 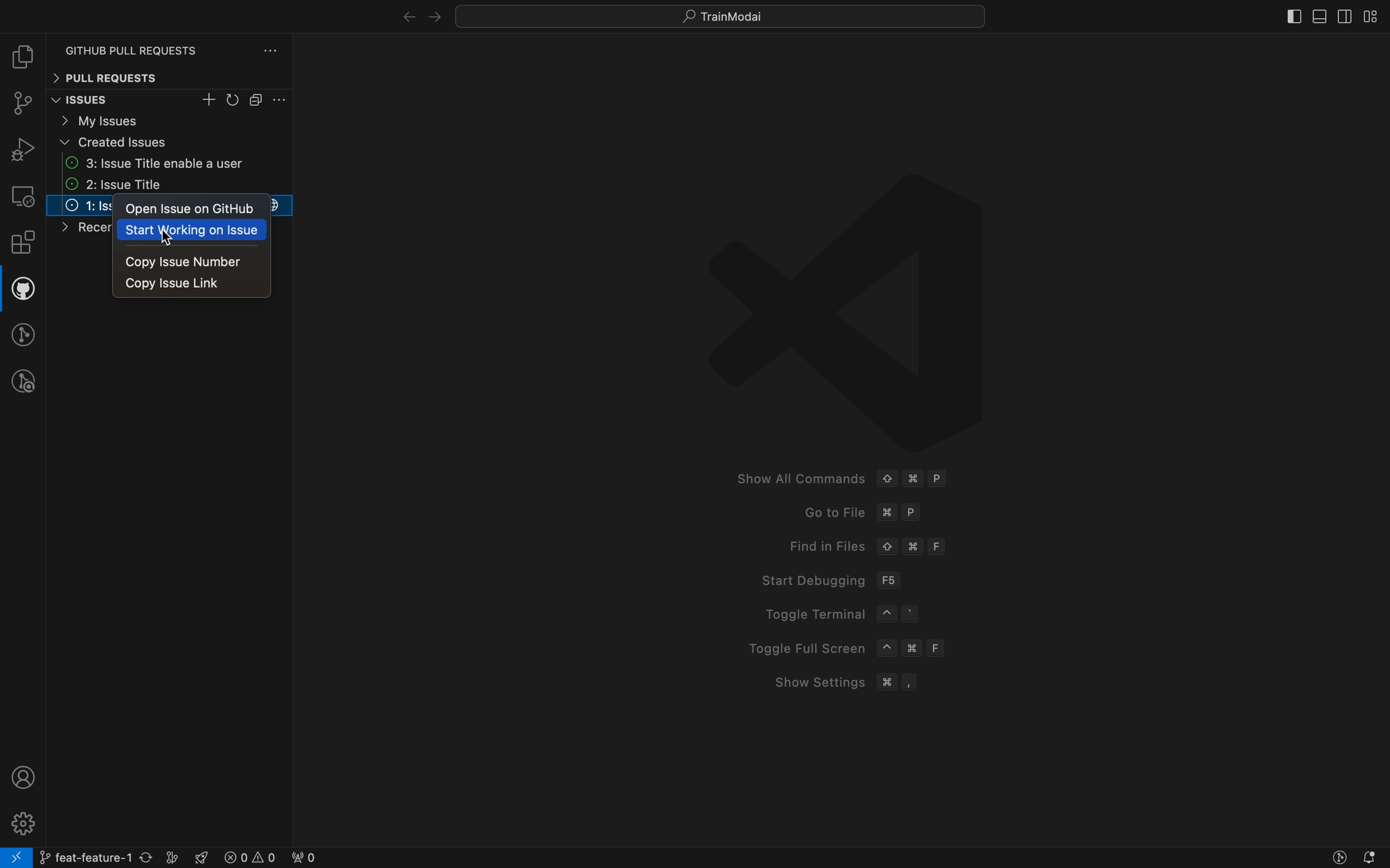 I want to click on settings, so click(x=281, y=100).